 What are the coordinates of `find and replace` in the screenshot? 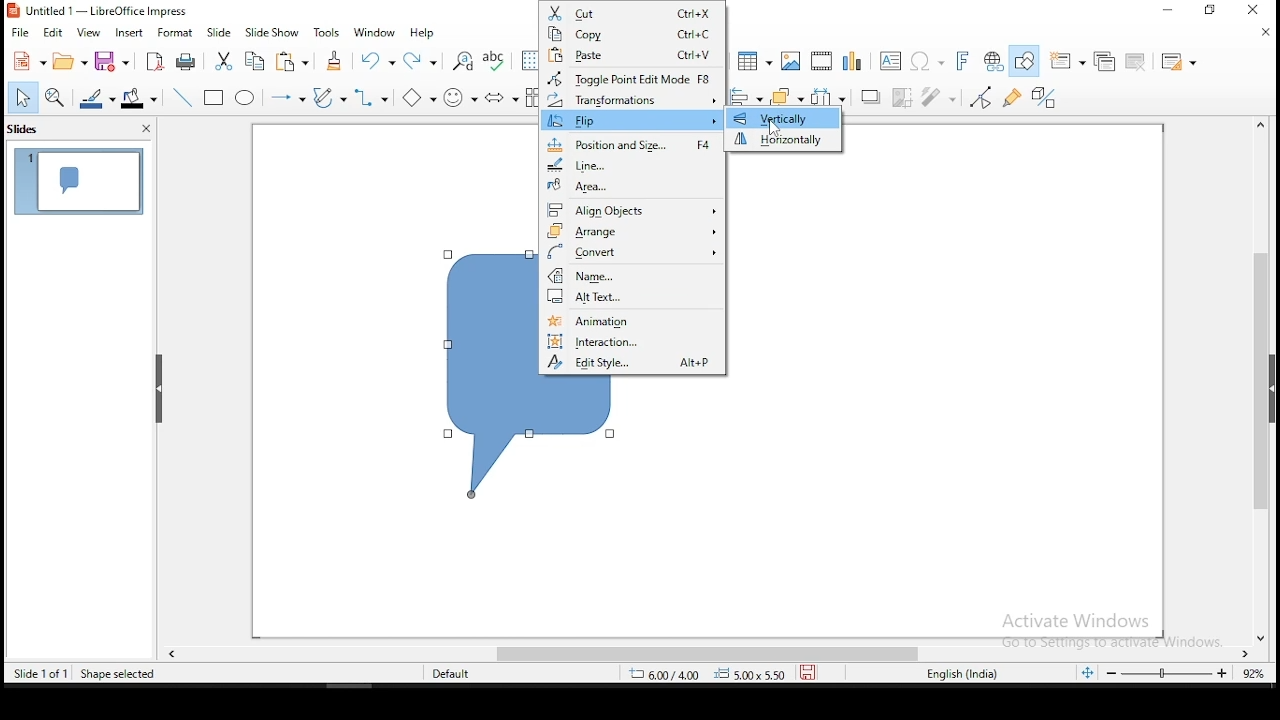 It's located at (464, 61).